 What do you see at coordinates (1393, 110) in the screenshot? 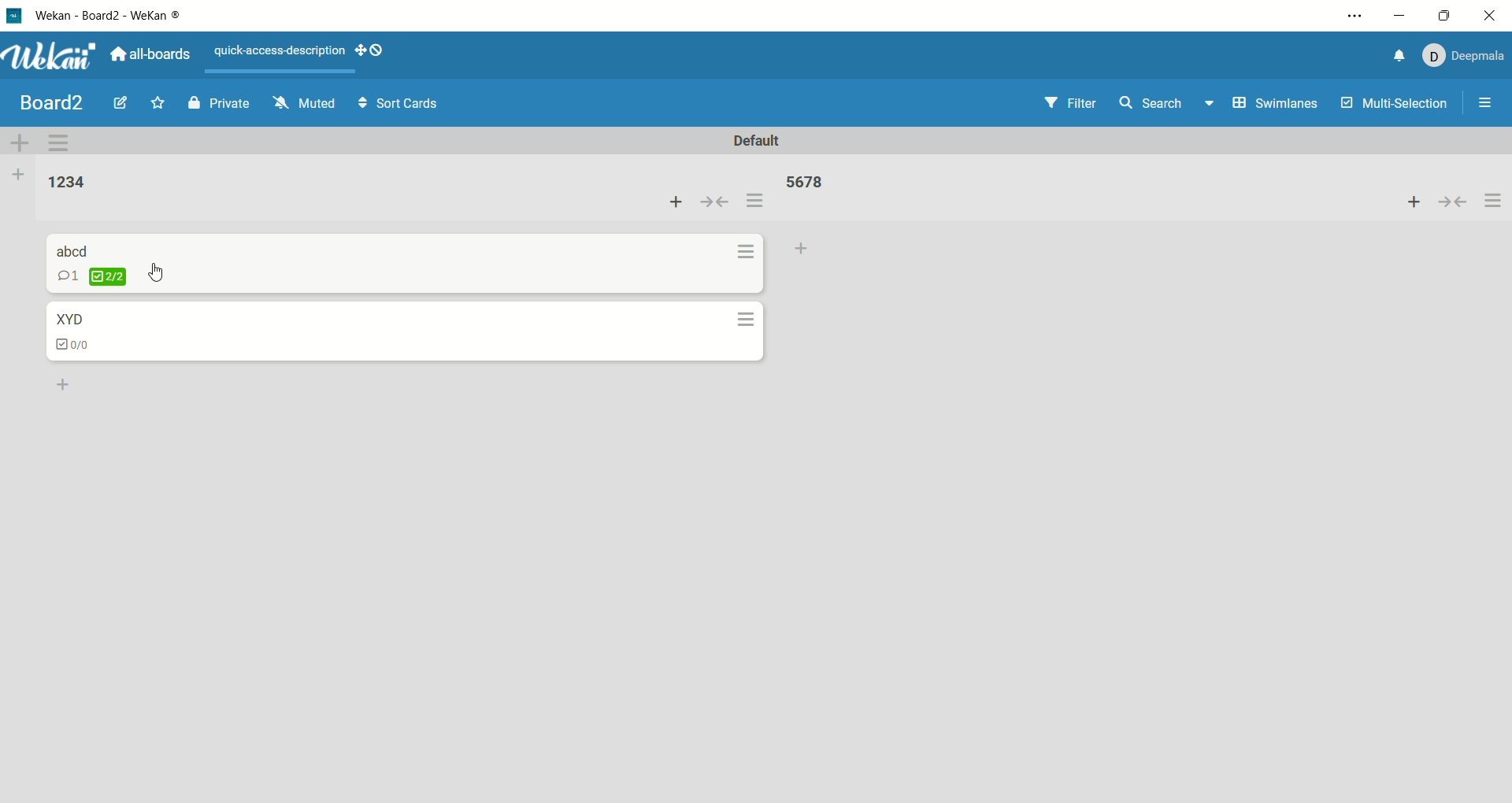
I see `multi-selection` at bounding box center [1393, 110].